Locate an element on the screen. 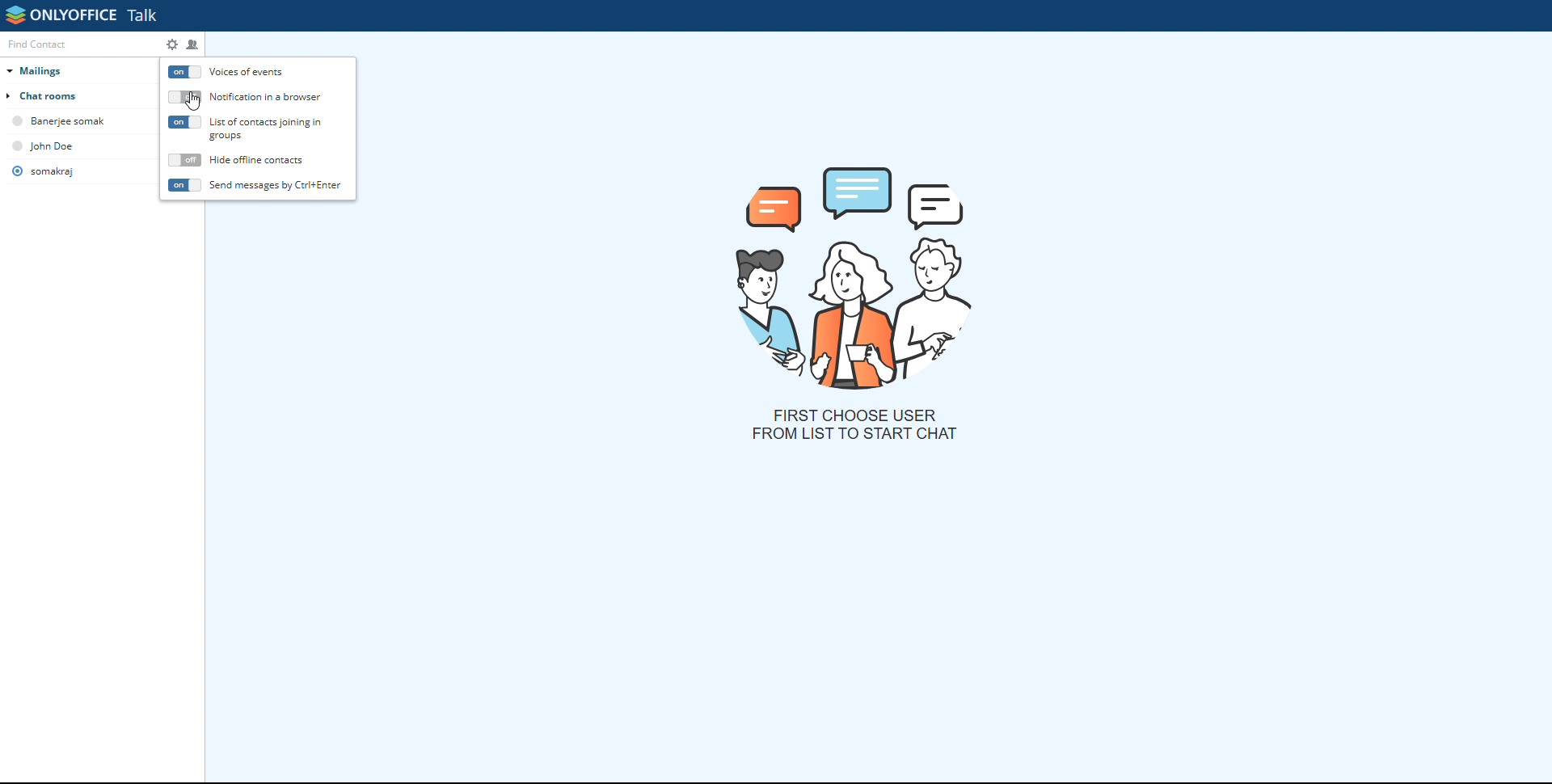 This screenshot has width=1552, height=784. mouse pointer is located at coordinates (197, 105).